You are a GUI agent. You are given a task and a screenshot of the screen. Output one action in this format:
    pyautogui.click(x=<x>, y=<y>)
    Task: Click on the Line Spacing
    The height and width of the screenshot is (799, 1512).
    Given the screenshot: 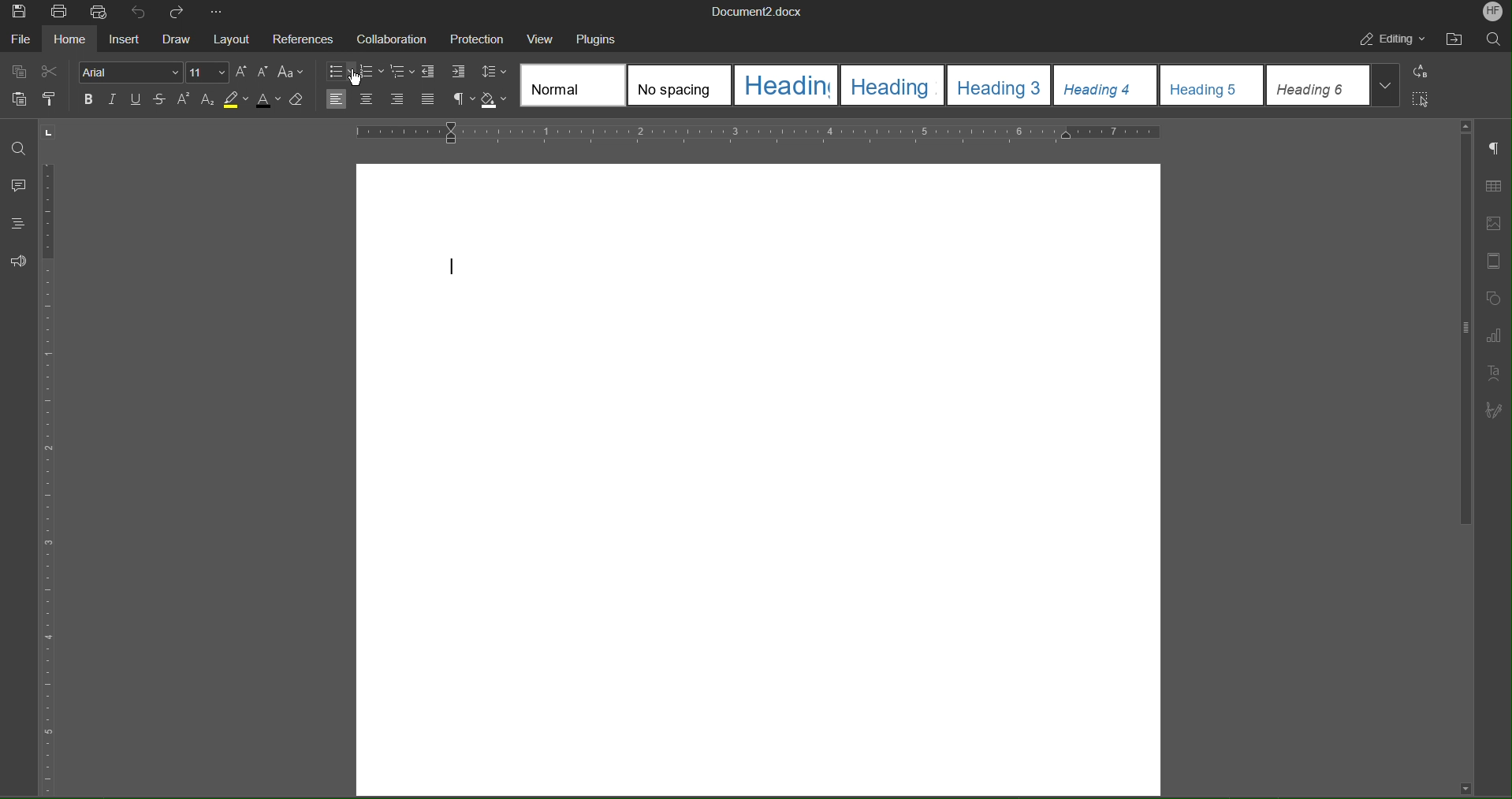 What is the action you would take?
    pyautogui.click(x=495, y=68)
    